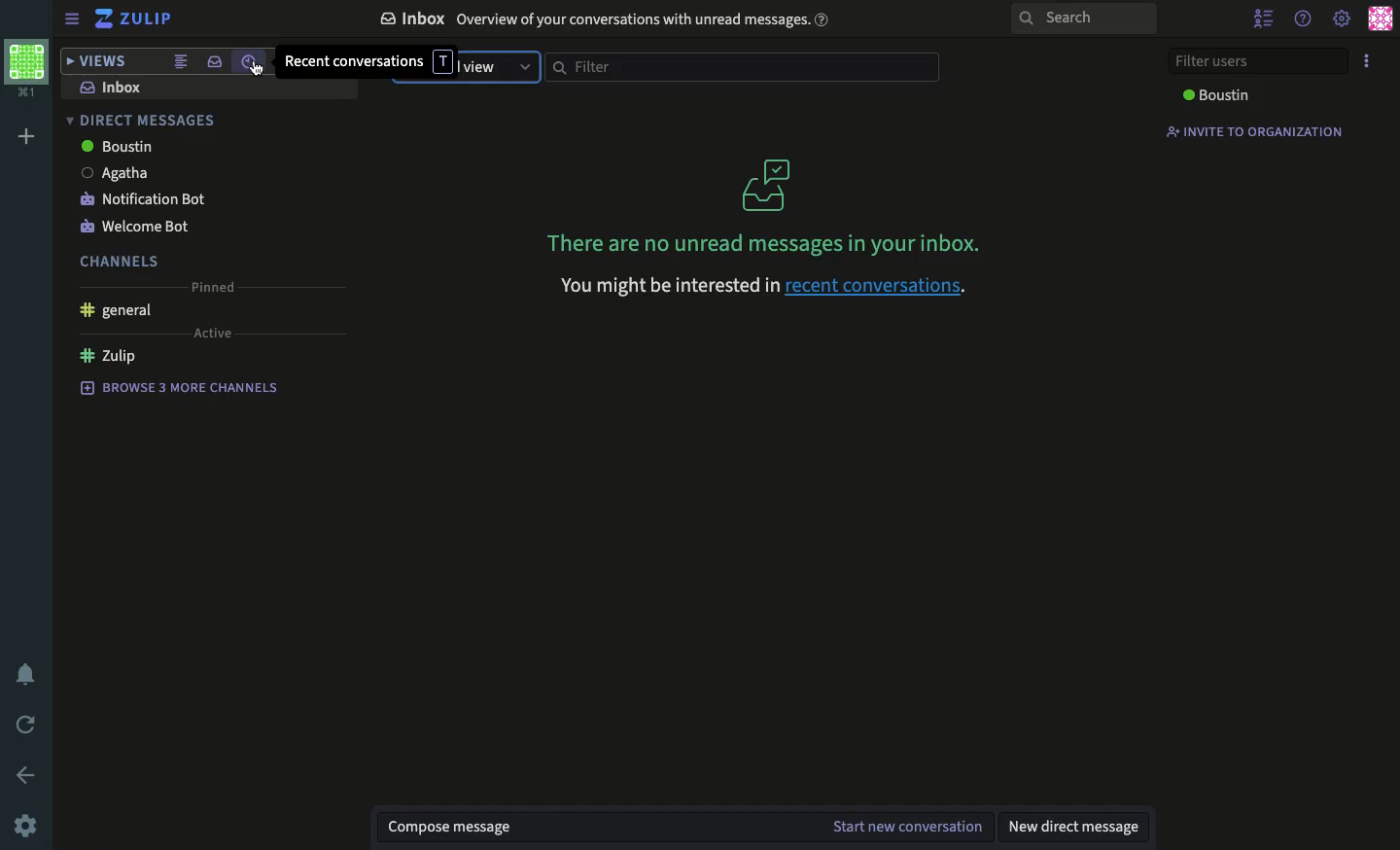  What do you see at coordinates (763, 200) in the screenshot?
I see `There are no unread messages in your inbox.` at bounding box center [763, 200].